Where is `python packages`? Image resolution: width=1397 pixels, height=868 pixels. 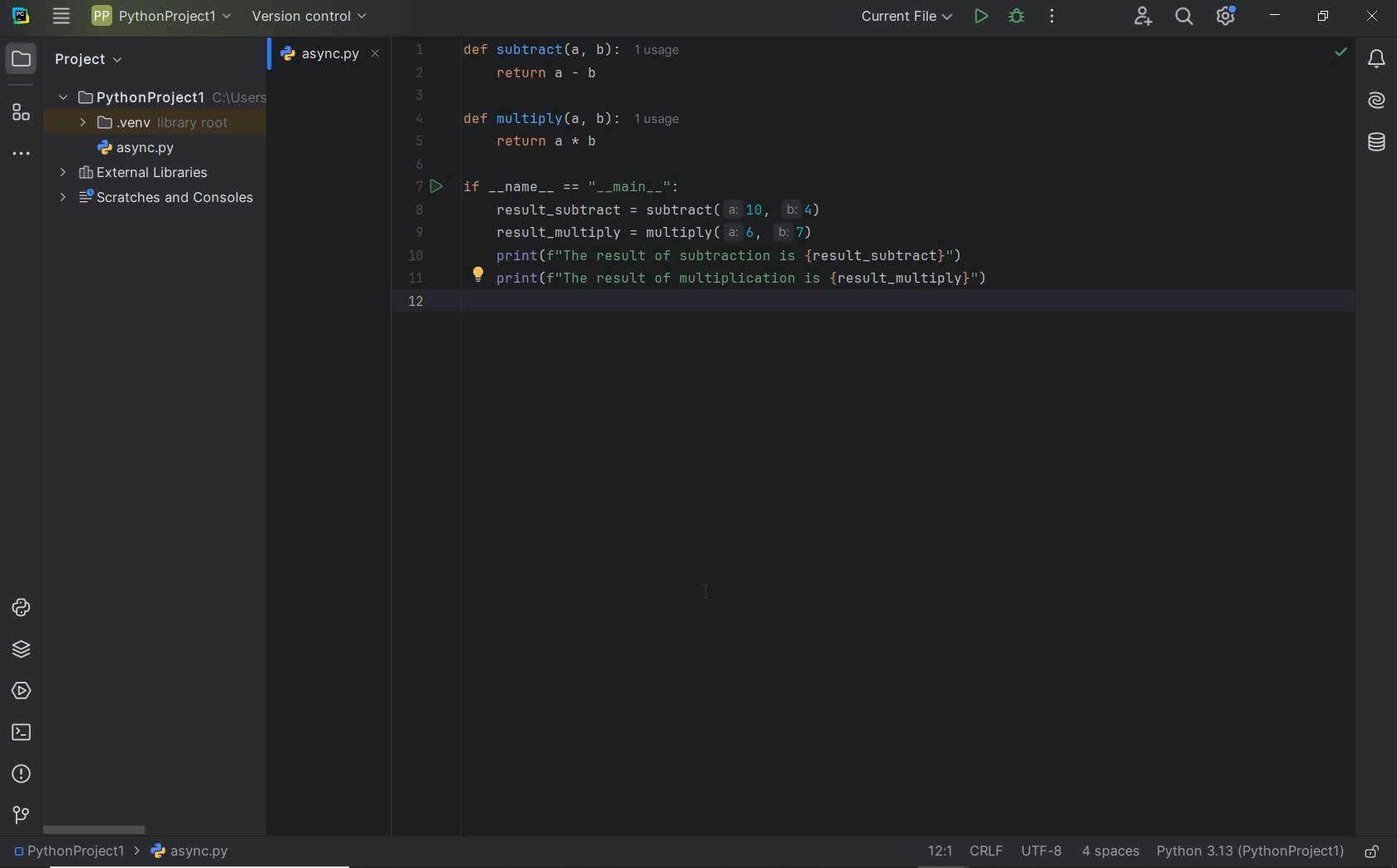 python packages is located at coordinates (20, 650).